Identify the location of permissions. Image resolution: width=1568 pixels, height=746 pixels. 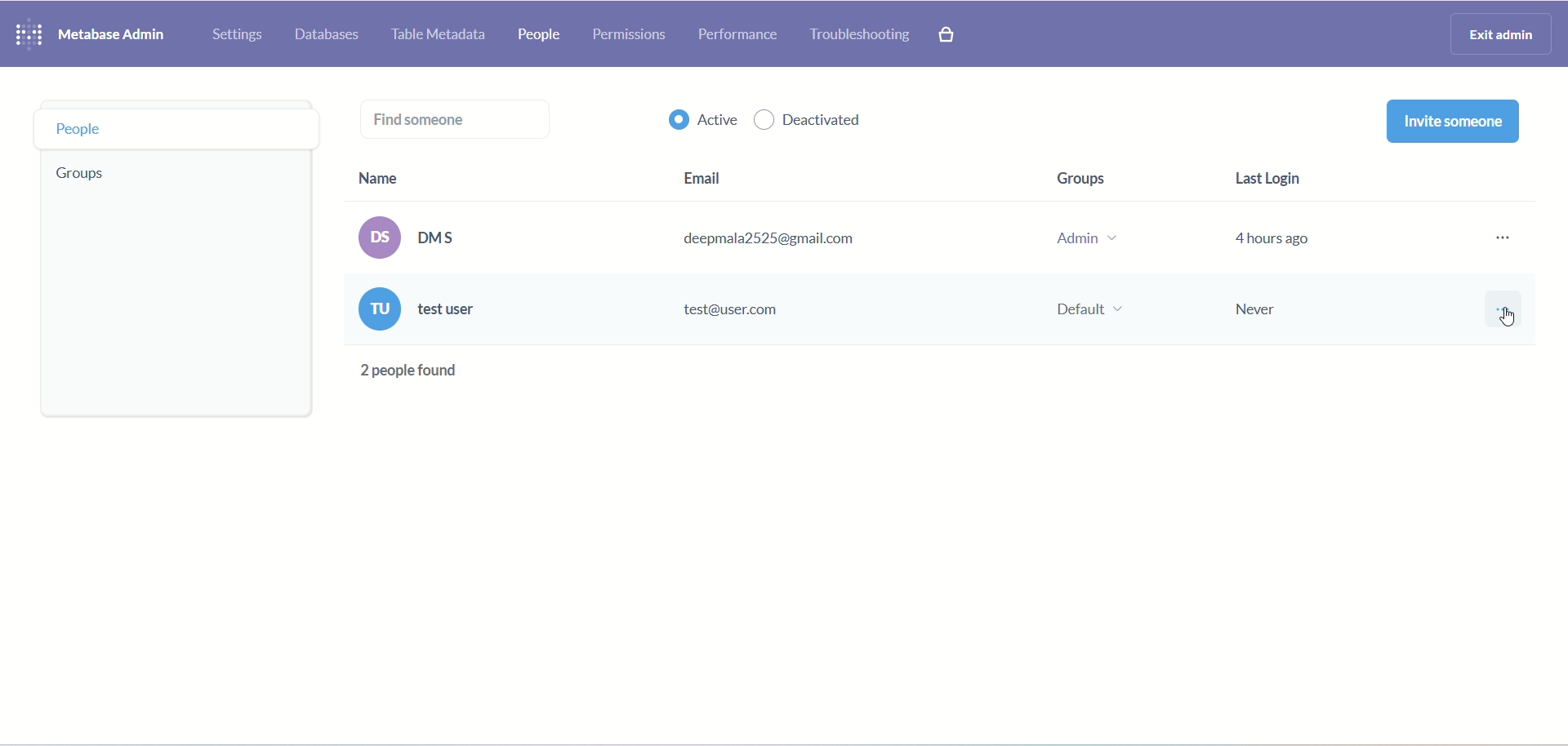
(634, 36).